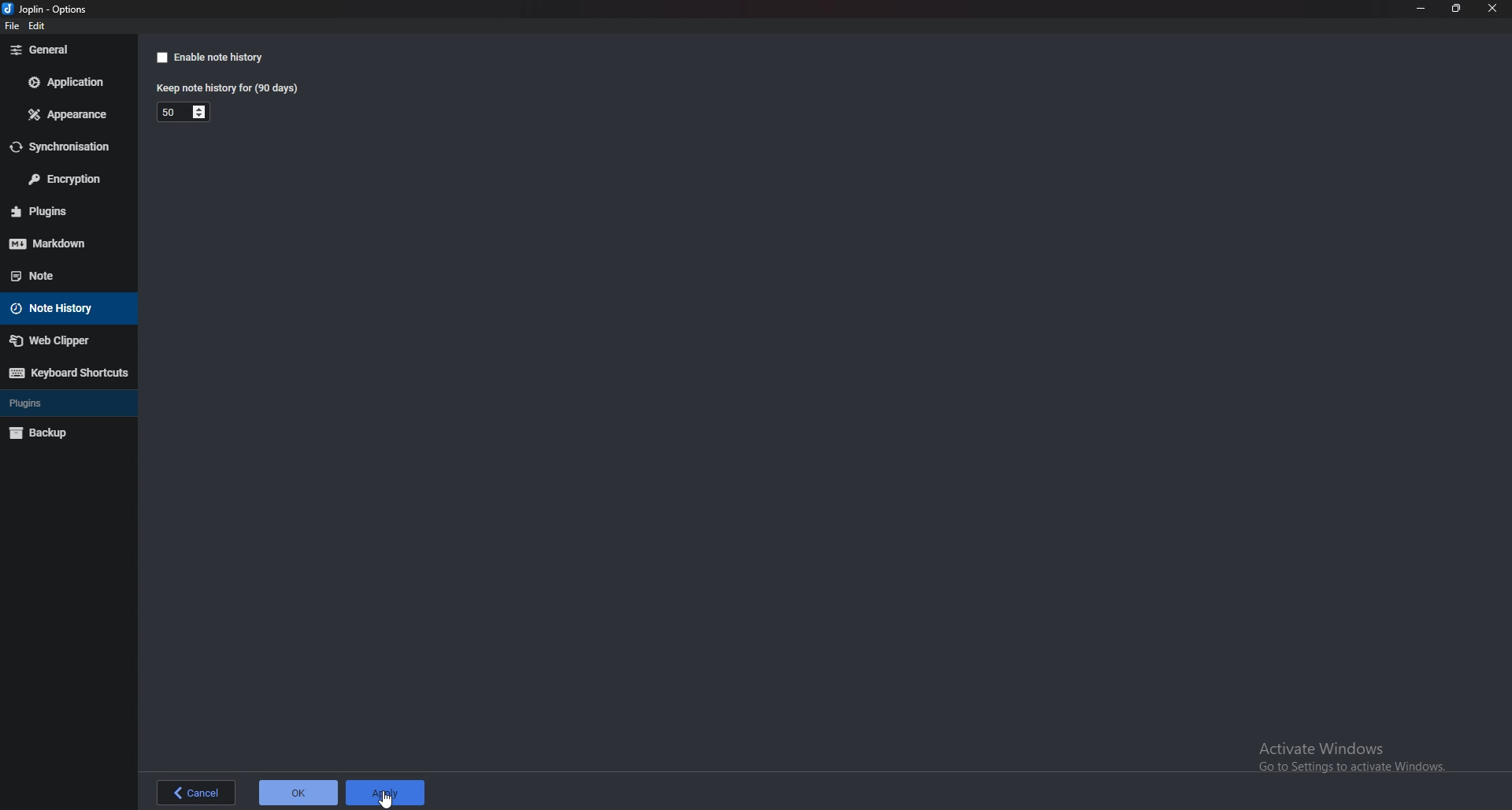 The width and height of the screenshot is (1512, 810). I want to click on plugins, so click(54, 402).